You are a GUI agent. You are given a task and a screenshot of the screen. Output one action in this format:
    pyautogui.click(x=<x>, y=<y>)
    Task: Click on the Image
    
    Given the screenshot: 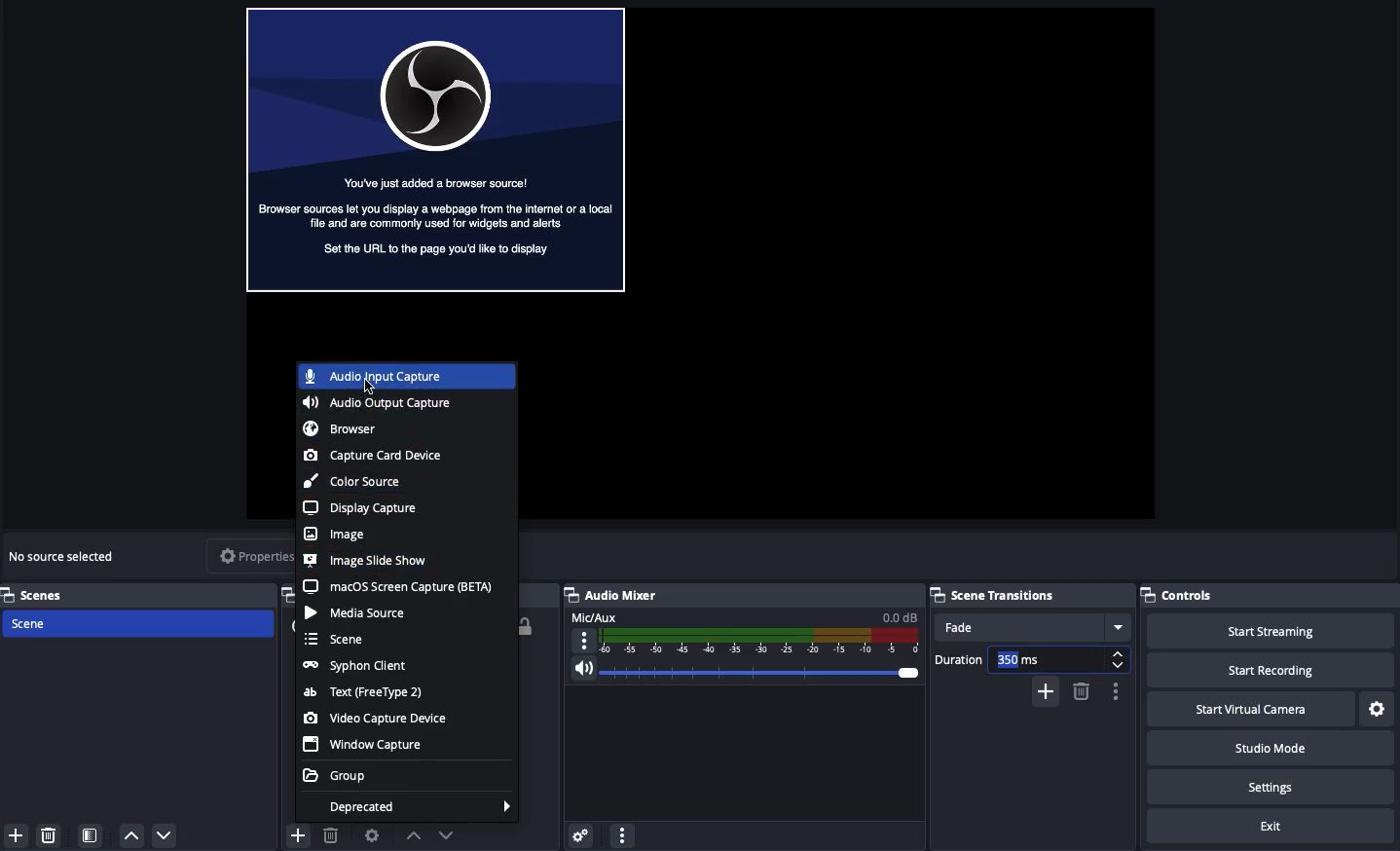 What is the action you would take?
    pyautogui.click(x=336, y=534)
    